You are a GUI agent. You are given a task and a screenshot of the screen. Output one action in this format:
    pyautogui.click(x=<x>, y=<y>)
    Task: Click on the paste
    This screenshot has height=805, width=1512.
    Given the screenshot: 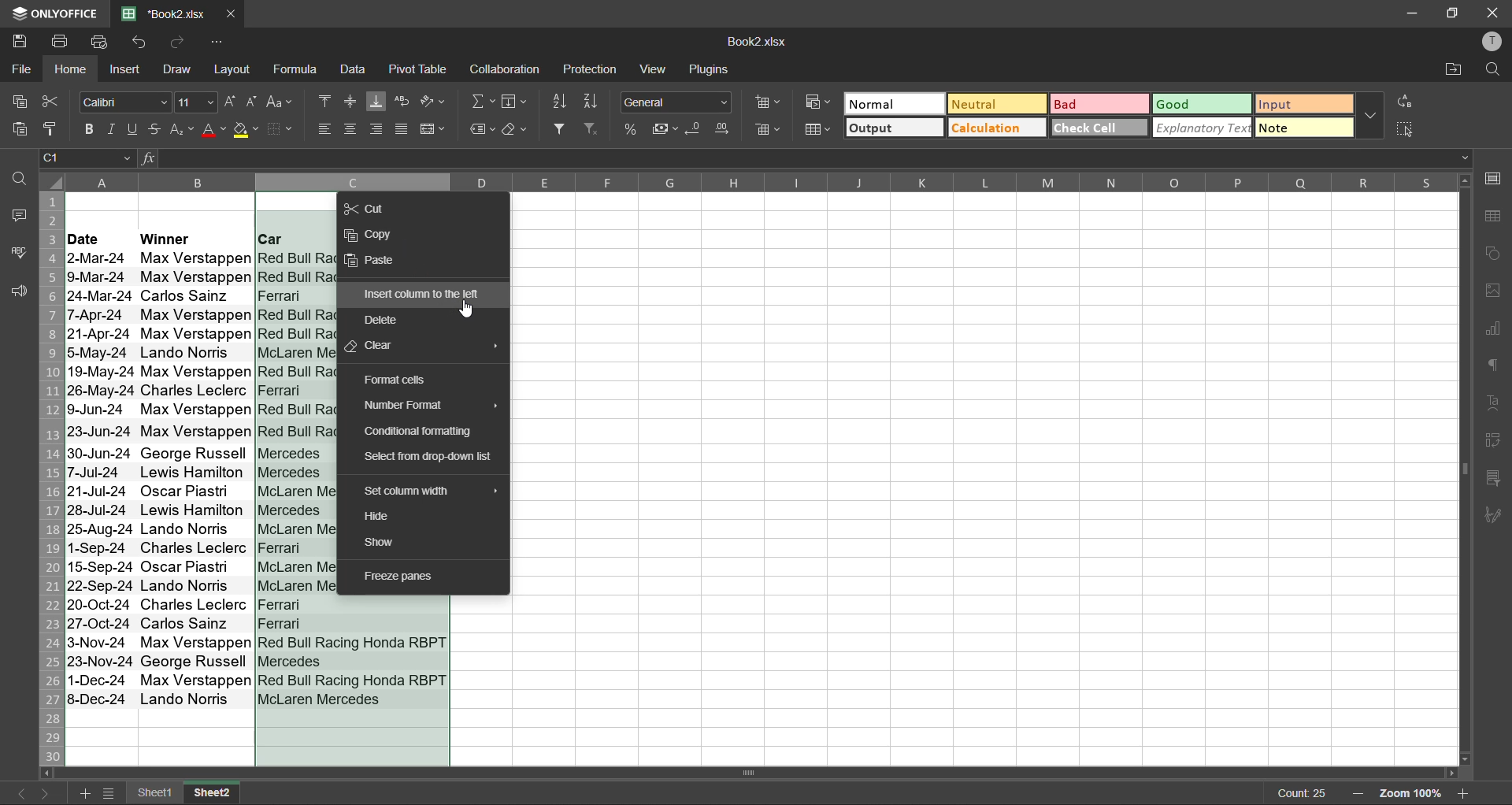 What is the action you would take?
    pyautogui.click(x=373, y=262)
    